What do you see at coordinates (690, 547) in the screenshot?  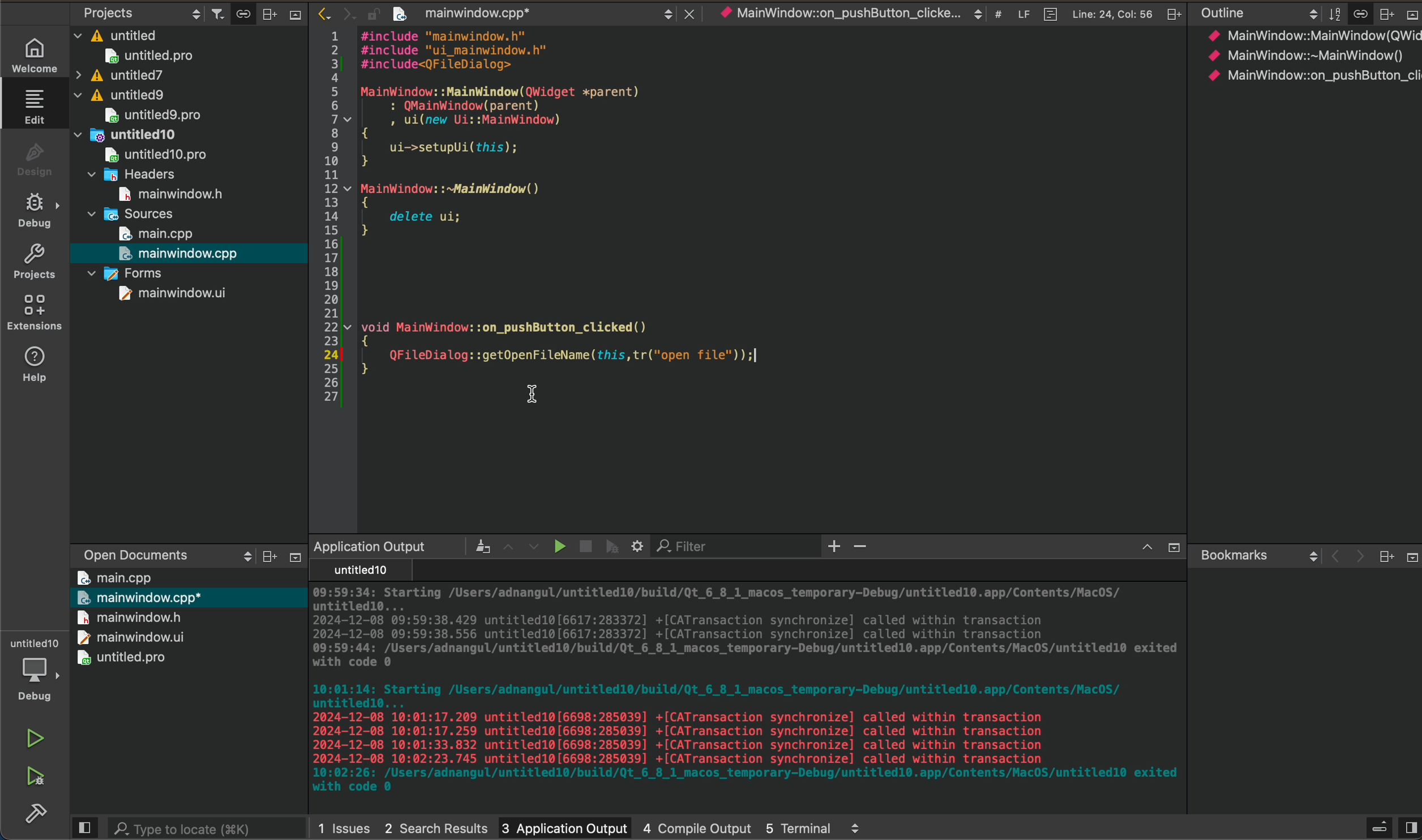 I see `filter` at bounding box center [690, 547].